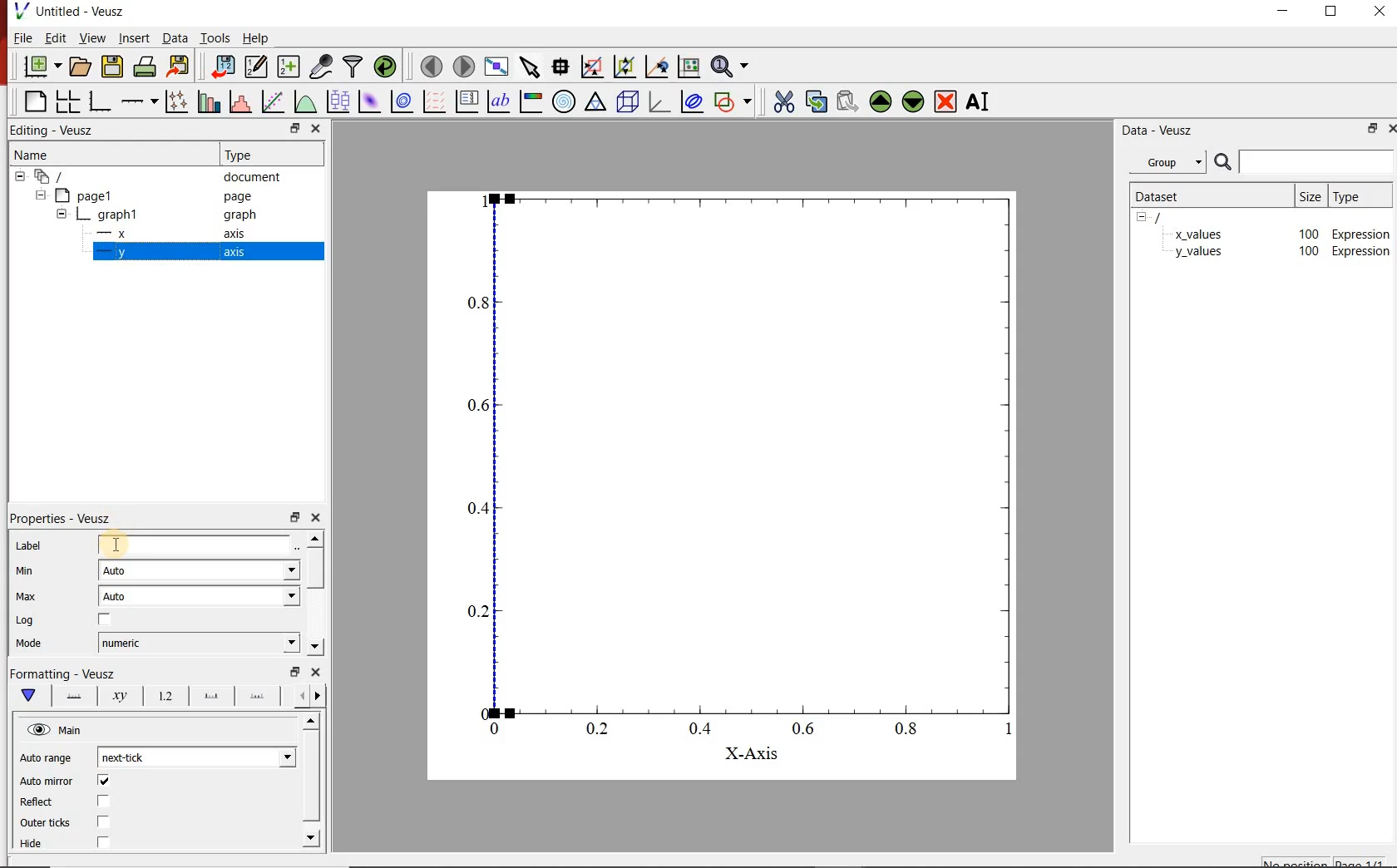  Describe the element at coordinates (592, 67) in the screenshot. I see `click or draw a rectangle to zoom on graph axes` at that location.